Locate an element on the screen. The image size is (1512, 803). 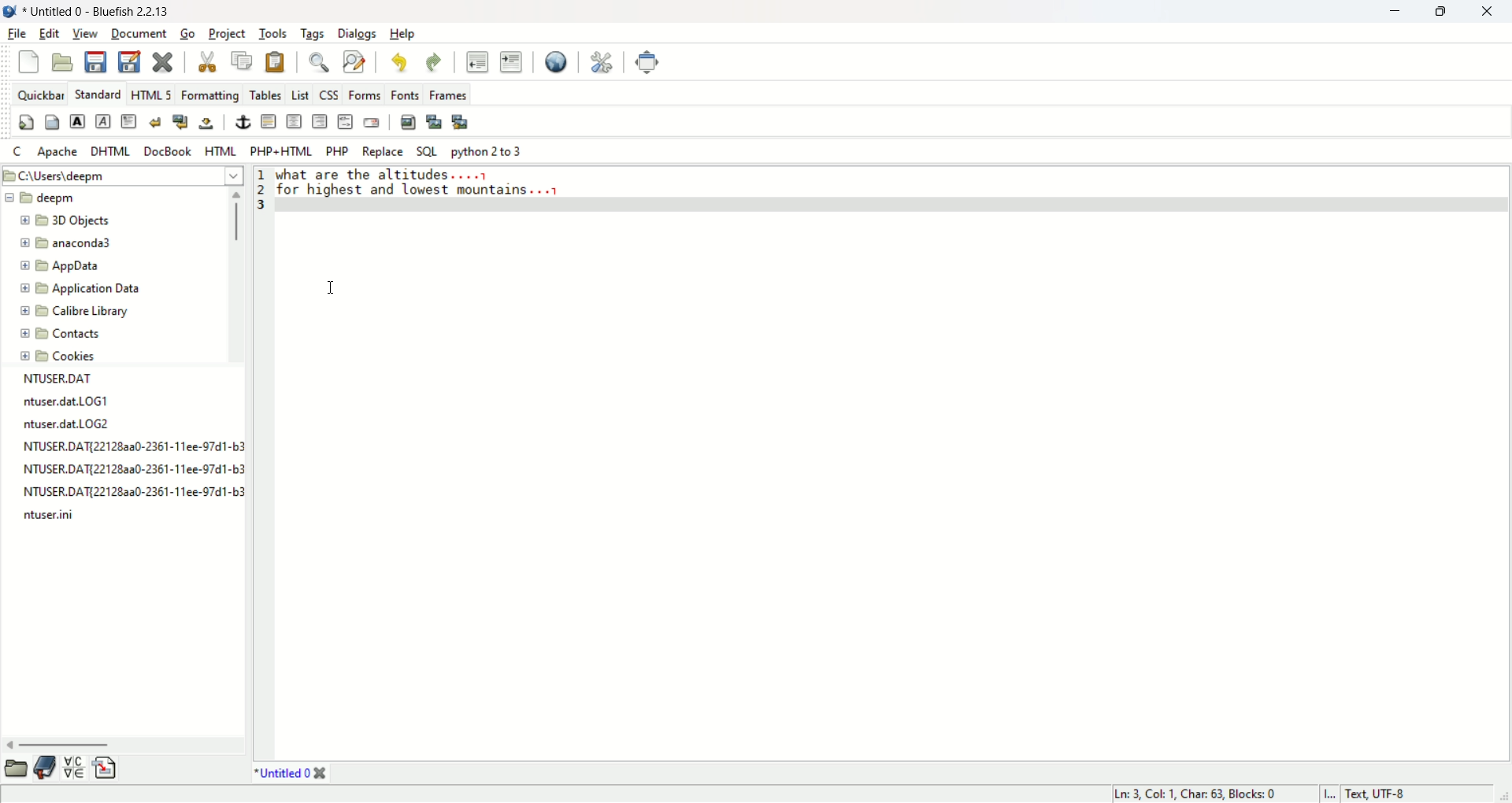
break and clear is located at coordinates (183, 122).